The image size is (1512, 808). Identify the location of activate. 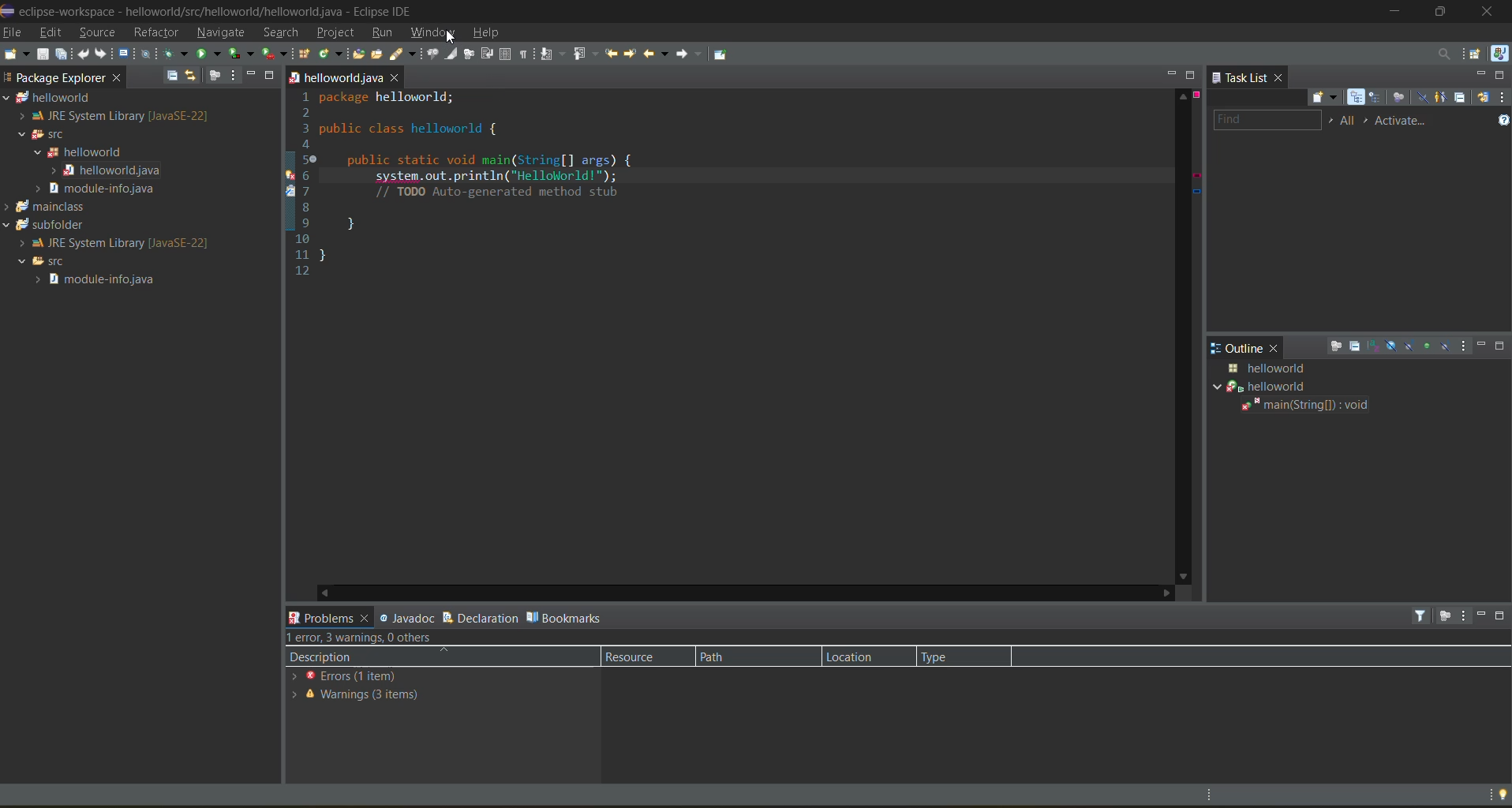
(1402, 122).